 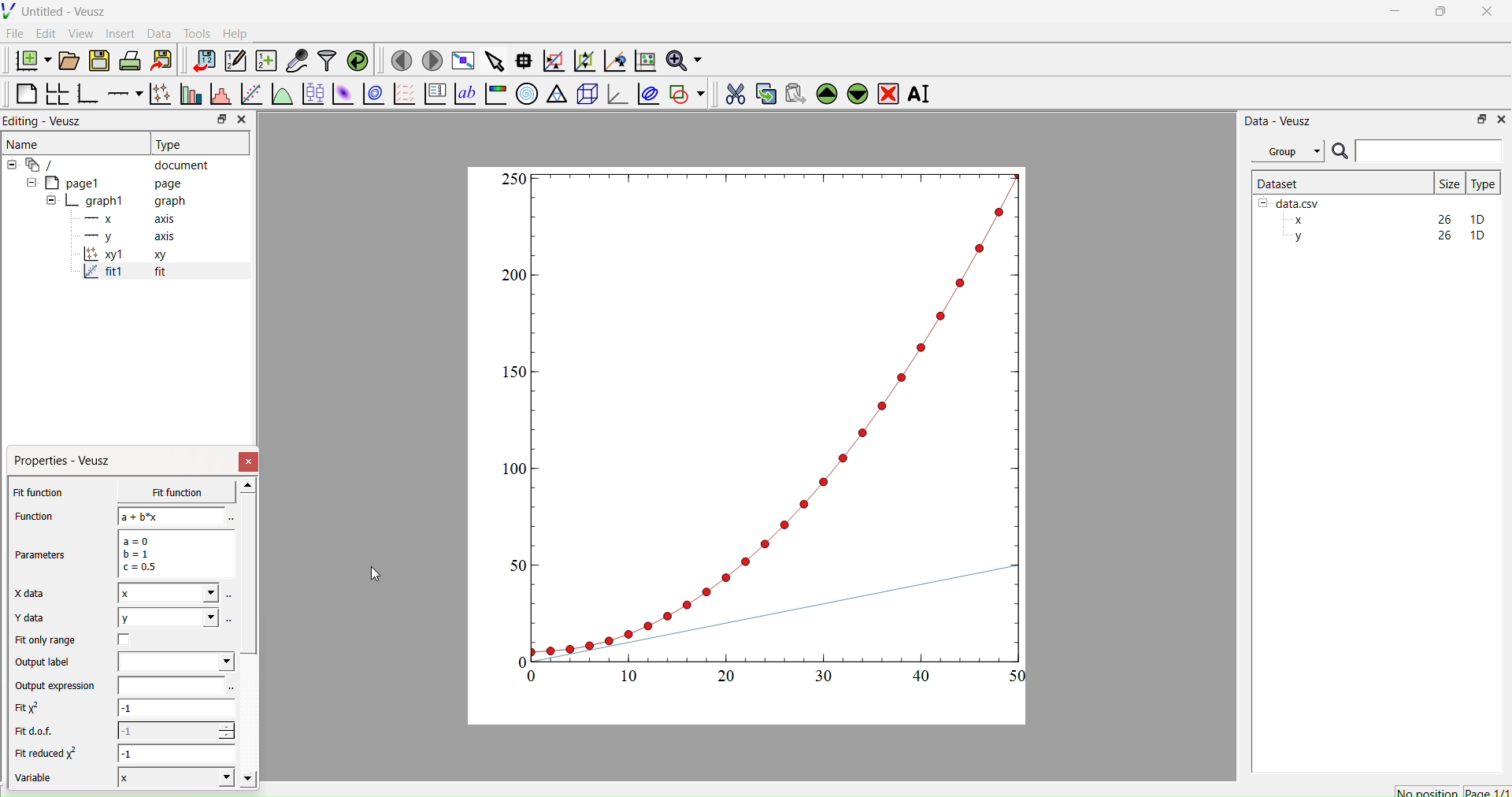 I want to click on Plot Vector Field, so click(x=404, y=95).